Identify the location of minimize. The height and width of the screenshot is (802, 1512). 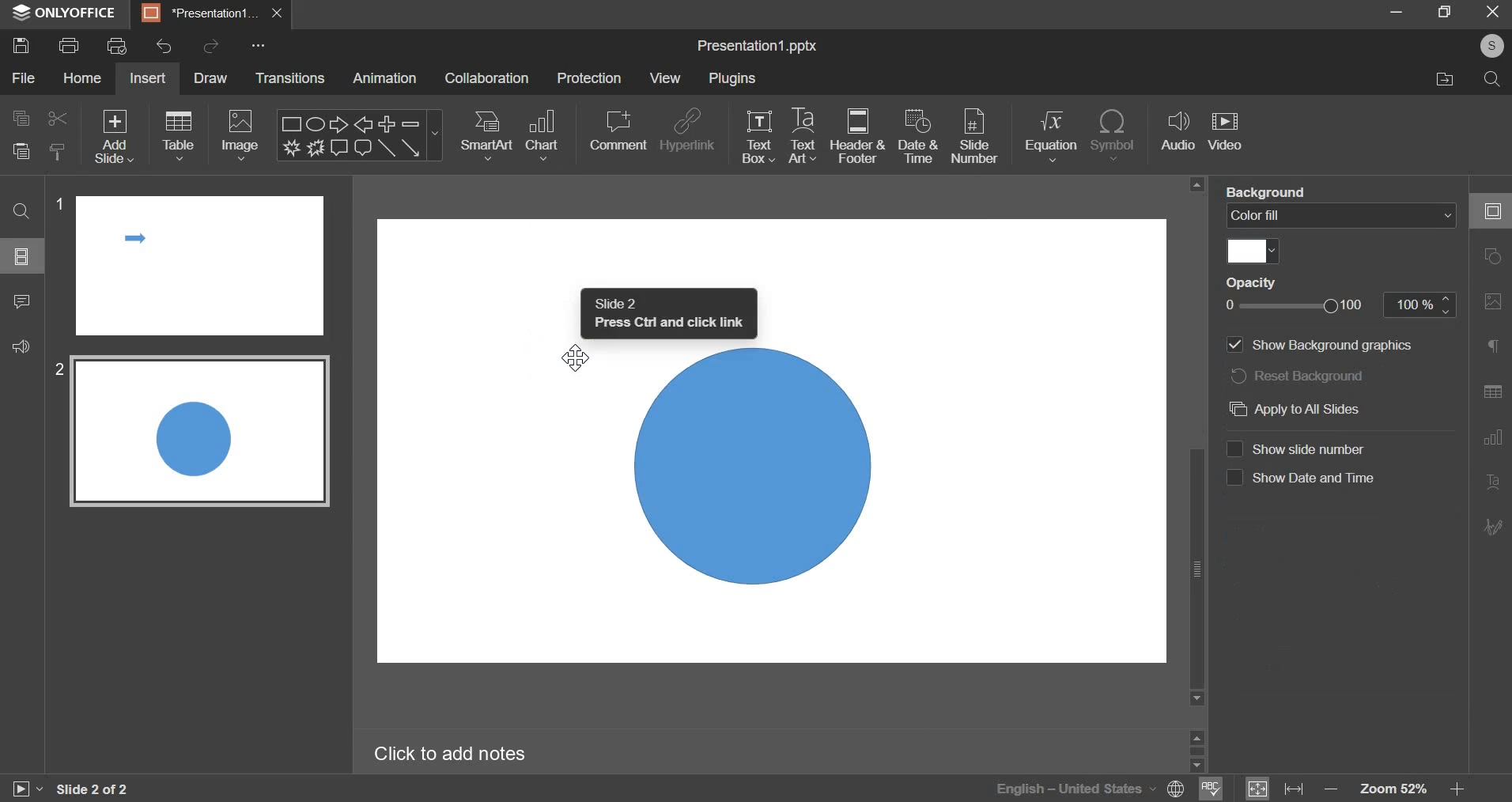
(1399, 11).